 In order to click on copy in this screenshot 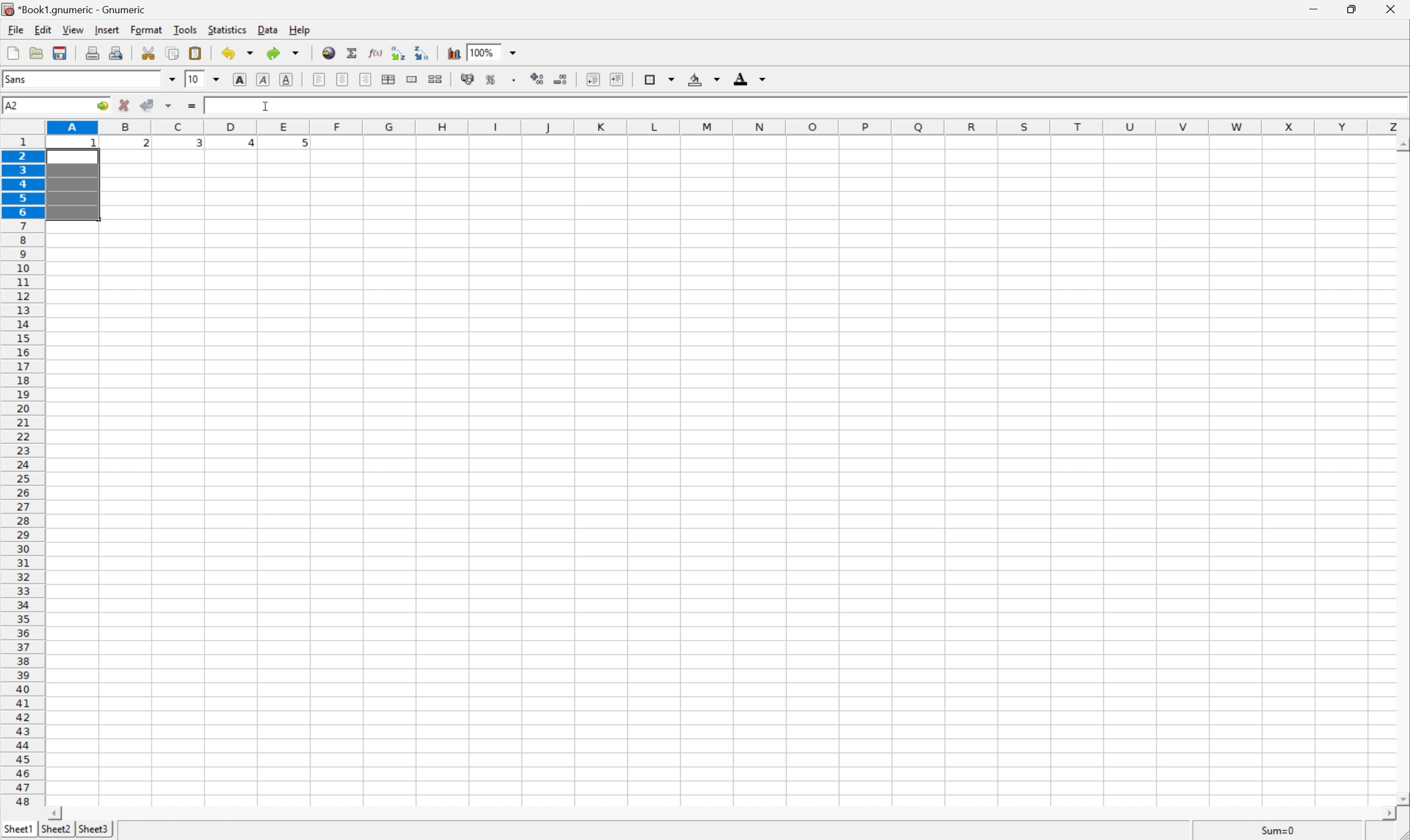, I will do `click(174, 52)`.